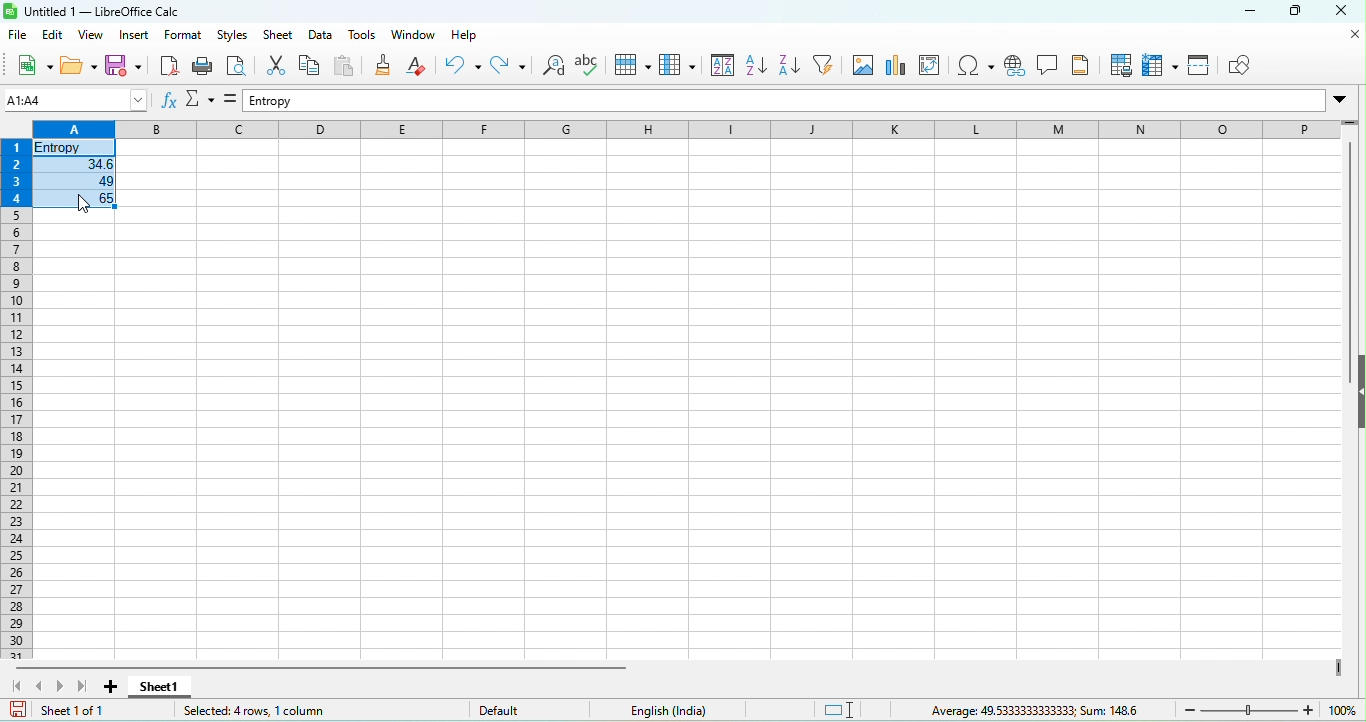  What do you see at coordinates (674, 709) in the screenshot?
I see `text language` at bounding box center [674, 709].